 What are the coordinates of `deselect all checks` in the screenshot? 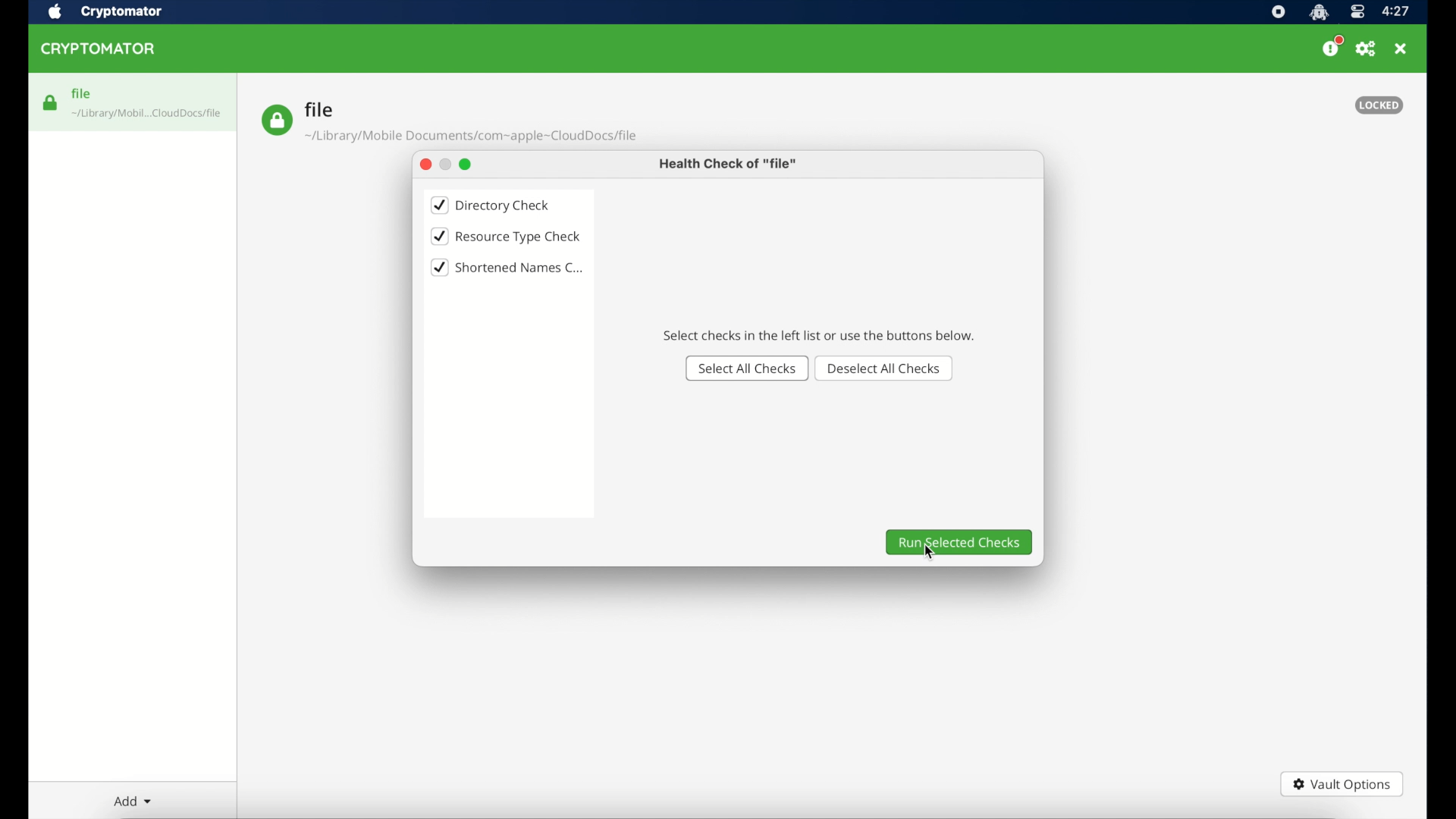 It's located at (886, 368).